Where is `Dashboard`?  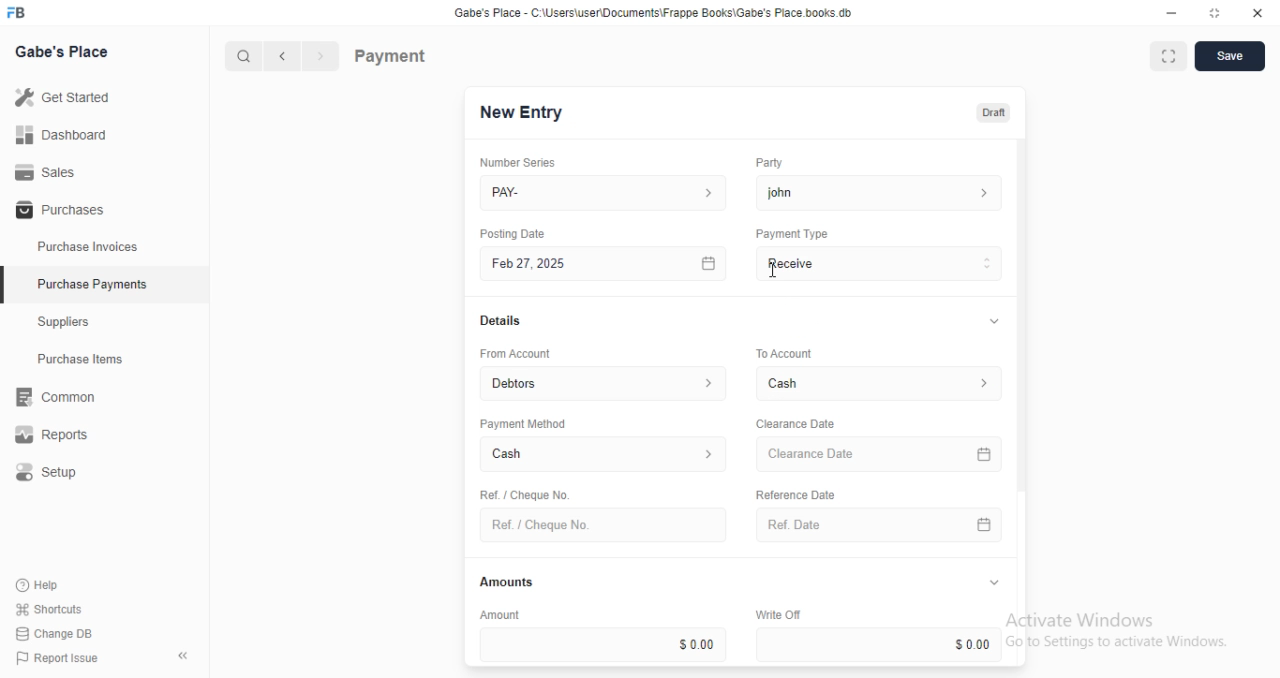
Dashboard is located at coordinates (61, 135).